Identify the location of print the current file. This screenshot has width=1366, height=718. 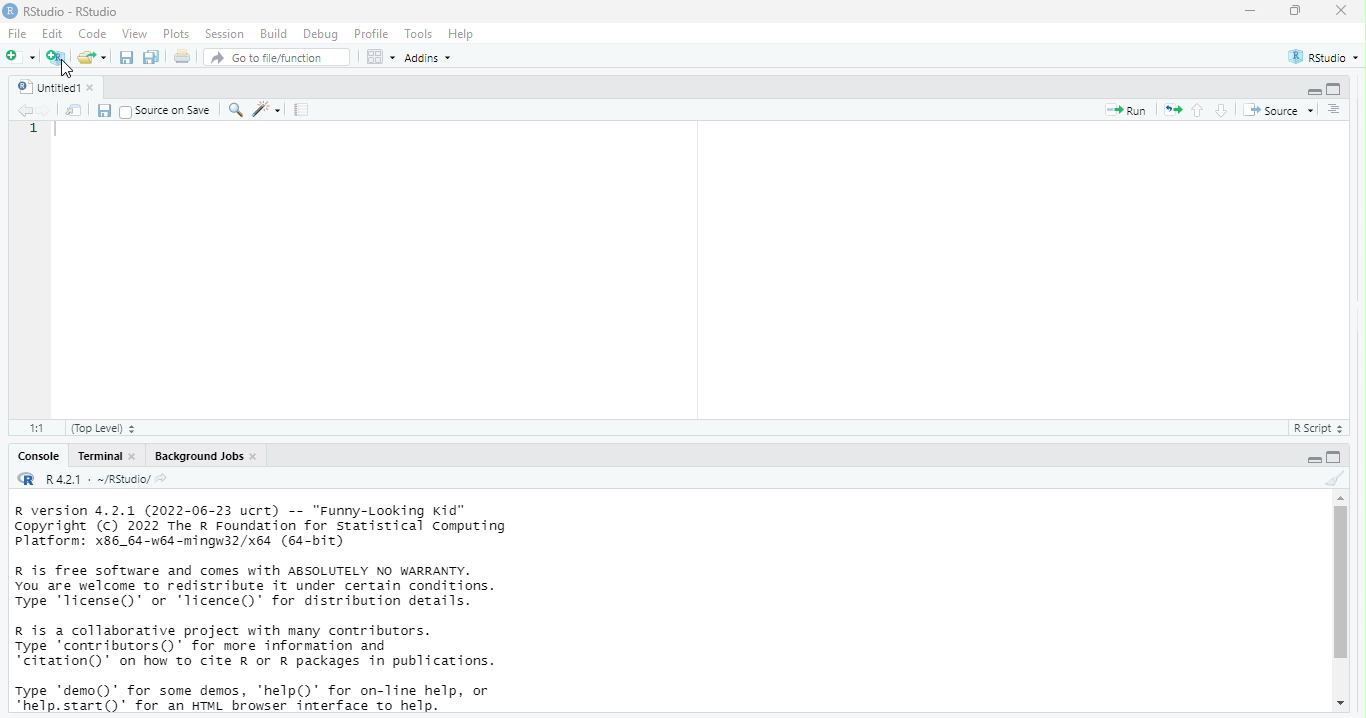
(182, 57).